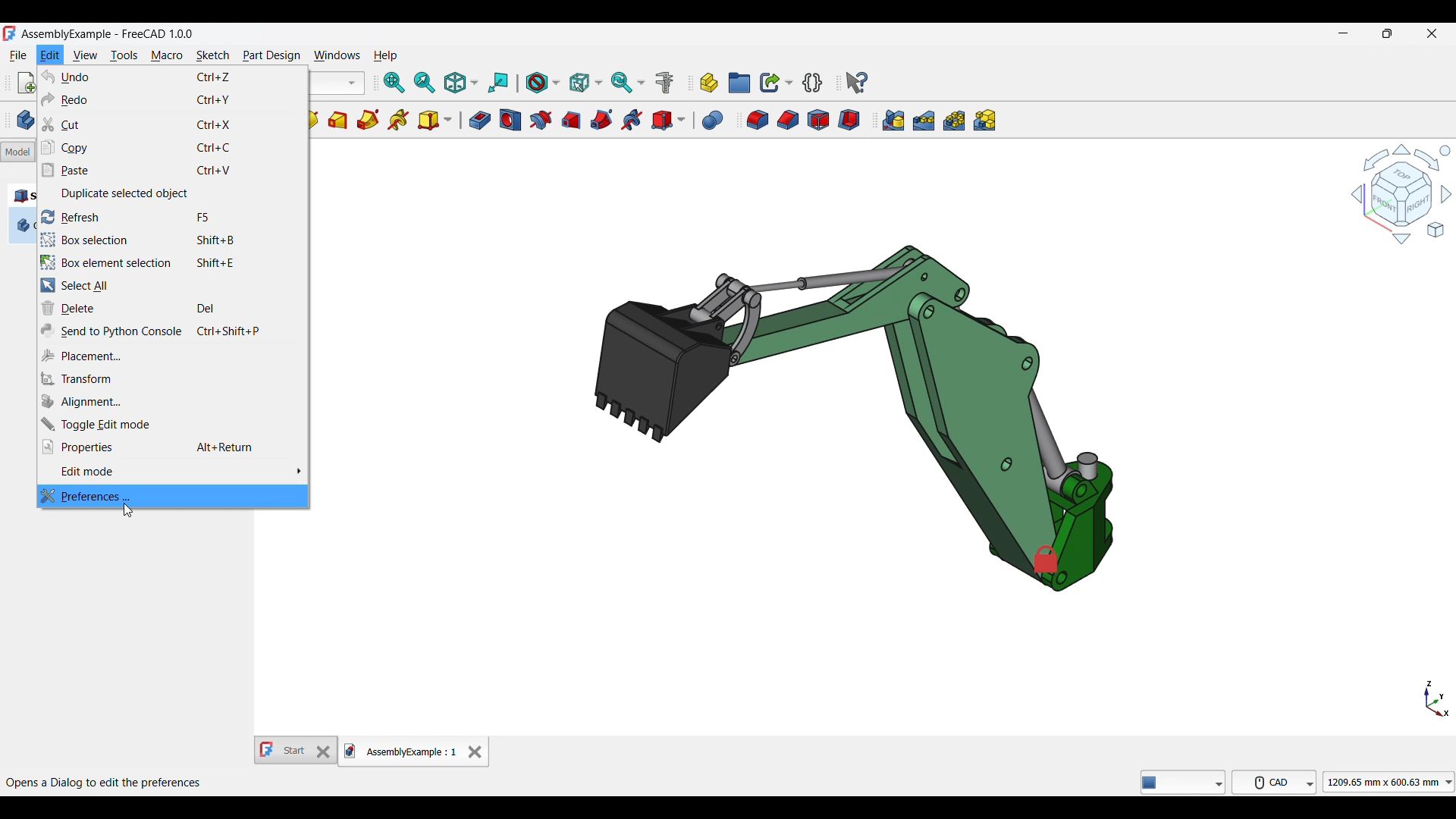  Describe the element at coordinates (954, 121) in the screenshot. I see `Polar pattern` at that location.